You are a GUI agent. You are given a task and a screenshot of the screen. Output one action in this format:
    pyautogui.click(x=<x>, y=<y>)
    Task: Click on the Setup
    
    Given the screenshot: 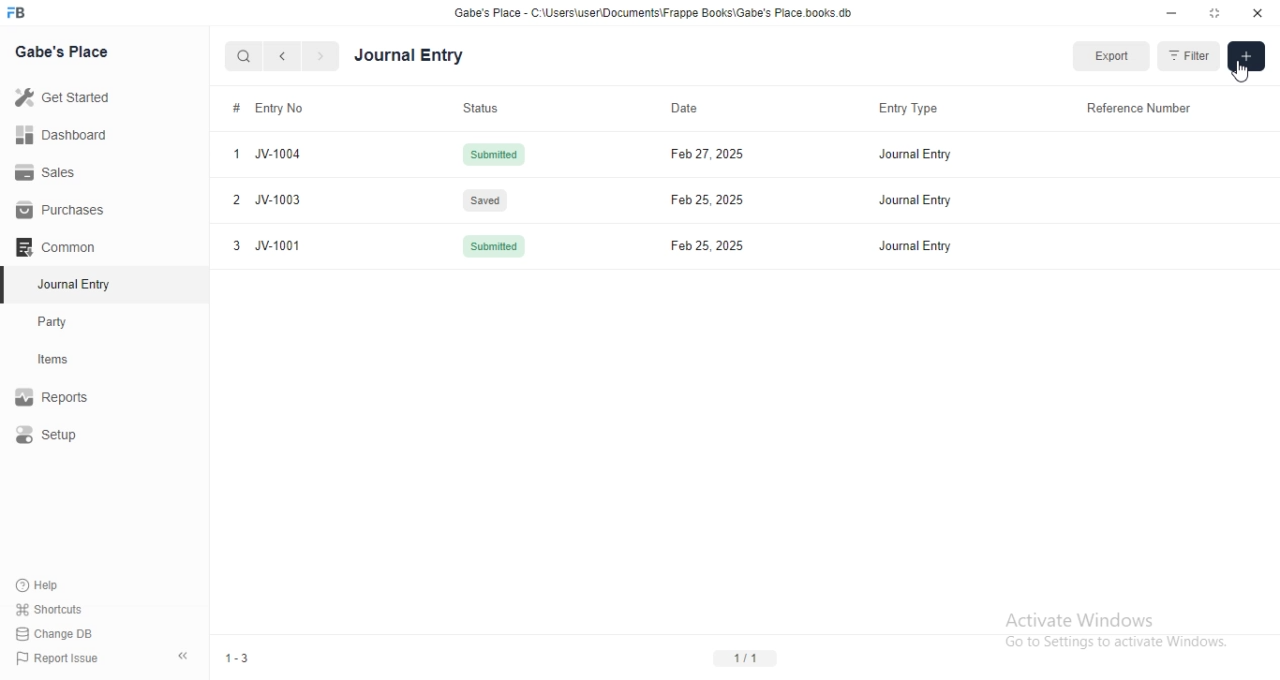 What is the action you would take?
    pyautogui.click(x=66, y=436)
    